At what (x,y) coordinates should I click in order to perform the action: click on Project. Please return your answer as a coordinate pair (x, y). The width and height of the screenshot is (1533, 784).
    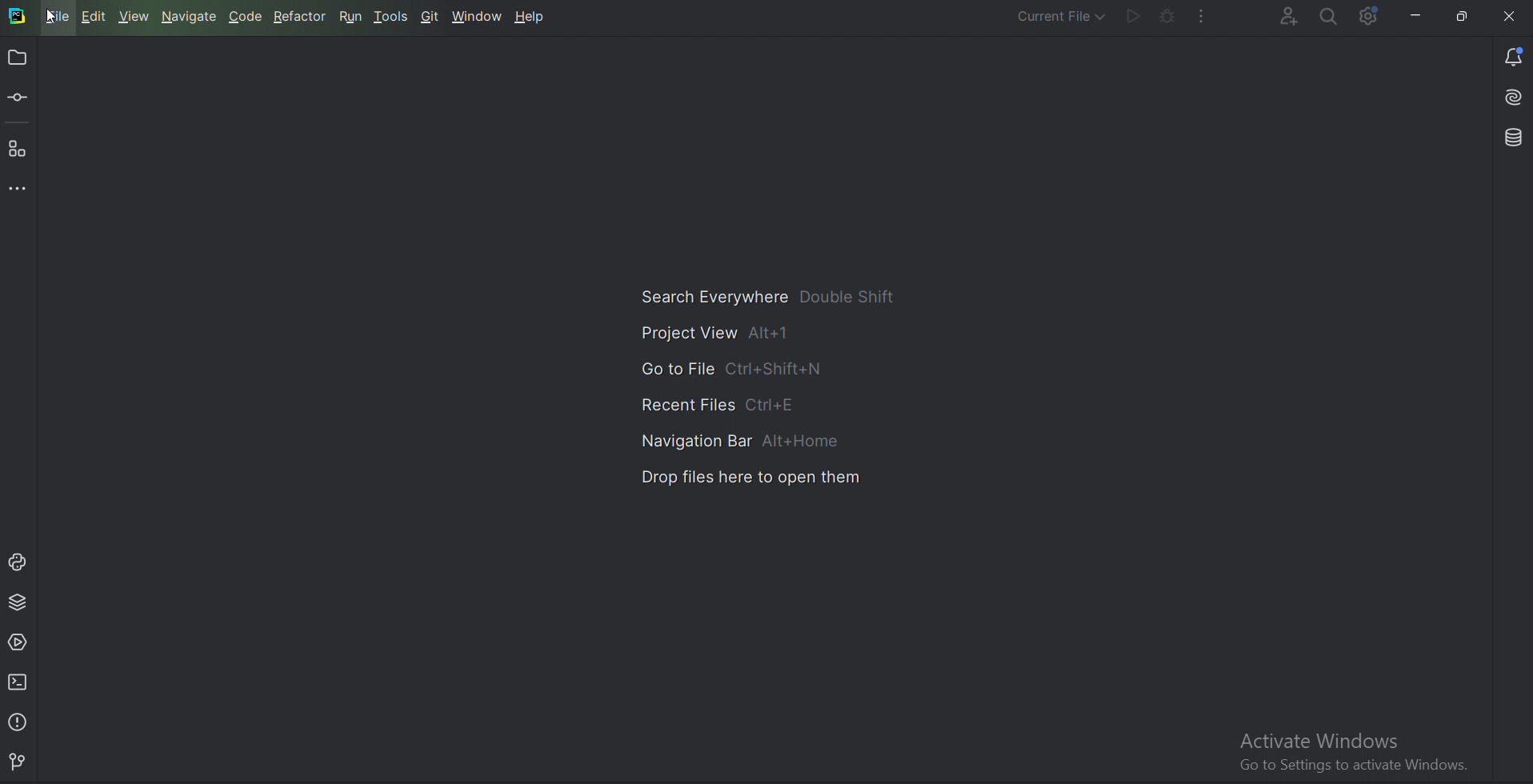
    Looking at the image, I should click on (17, 59).